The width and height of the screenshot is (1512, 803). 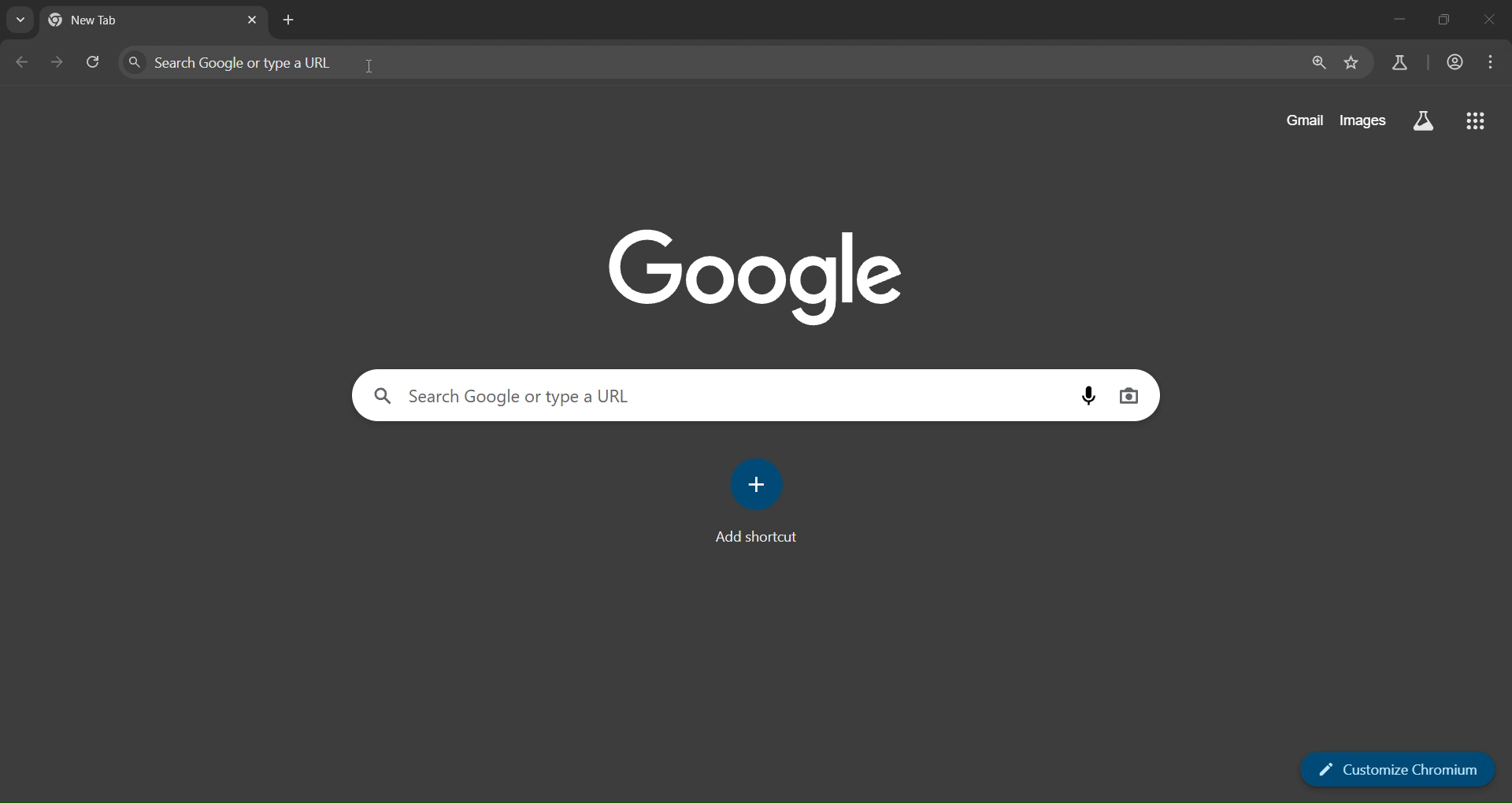 What do you see at coordinates (707, 62) in the screenshot?
I see `search Google or type a URL` at bounding box center [707, 62].